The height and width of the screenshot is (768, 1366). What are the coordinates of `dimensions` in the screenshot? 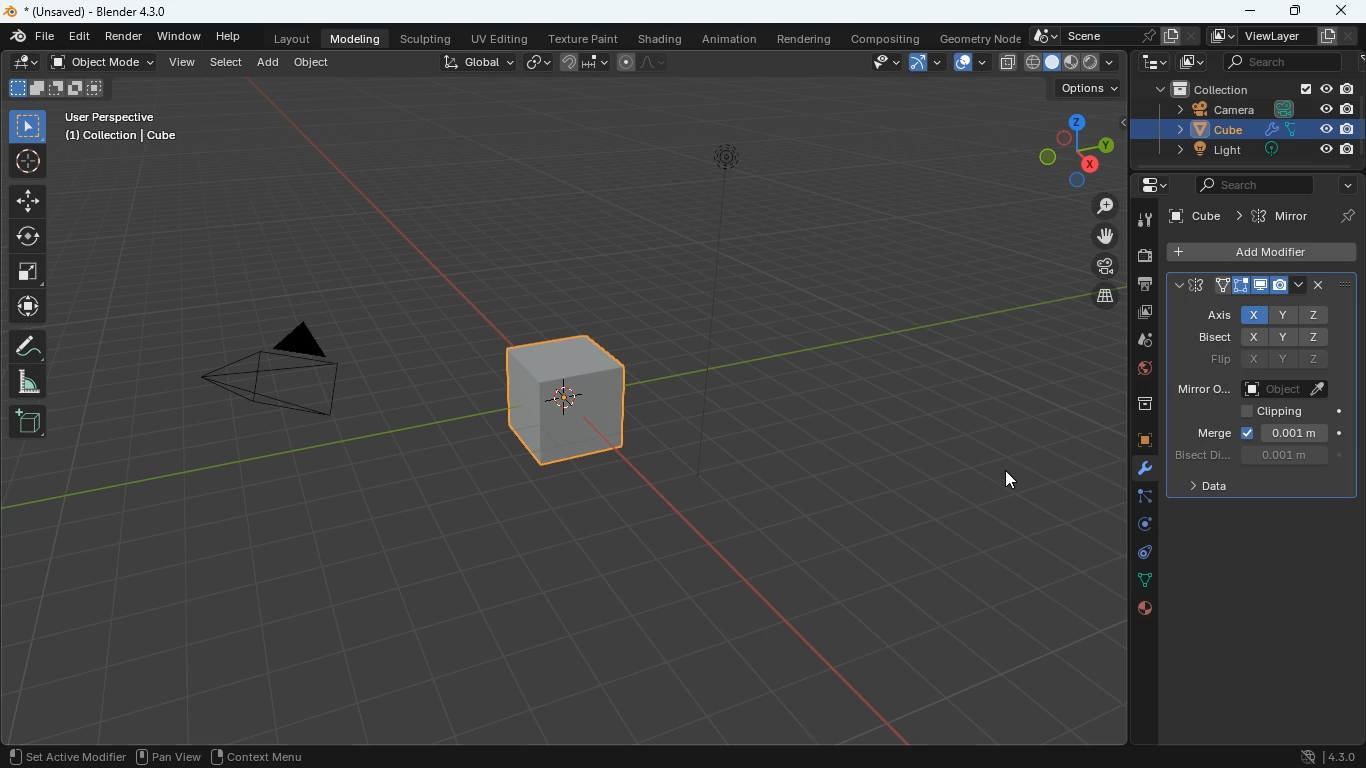 It's located at (1076, 146).